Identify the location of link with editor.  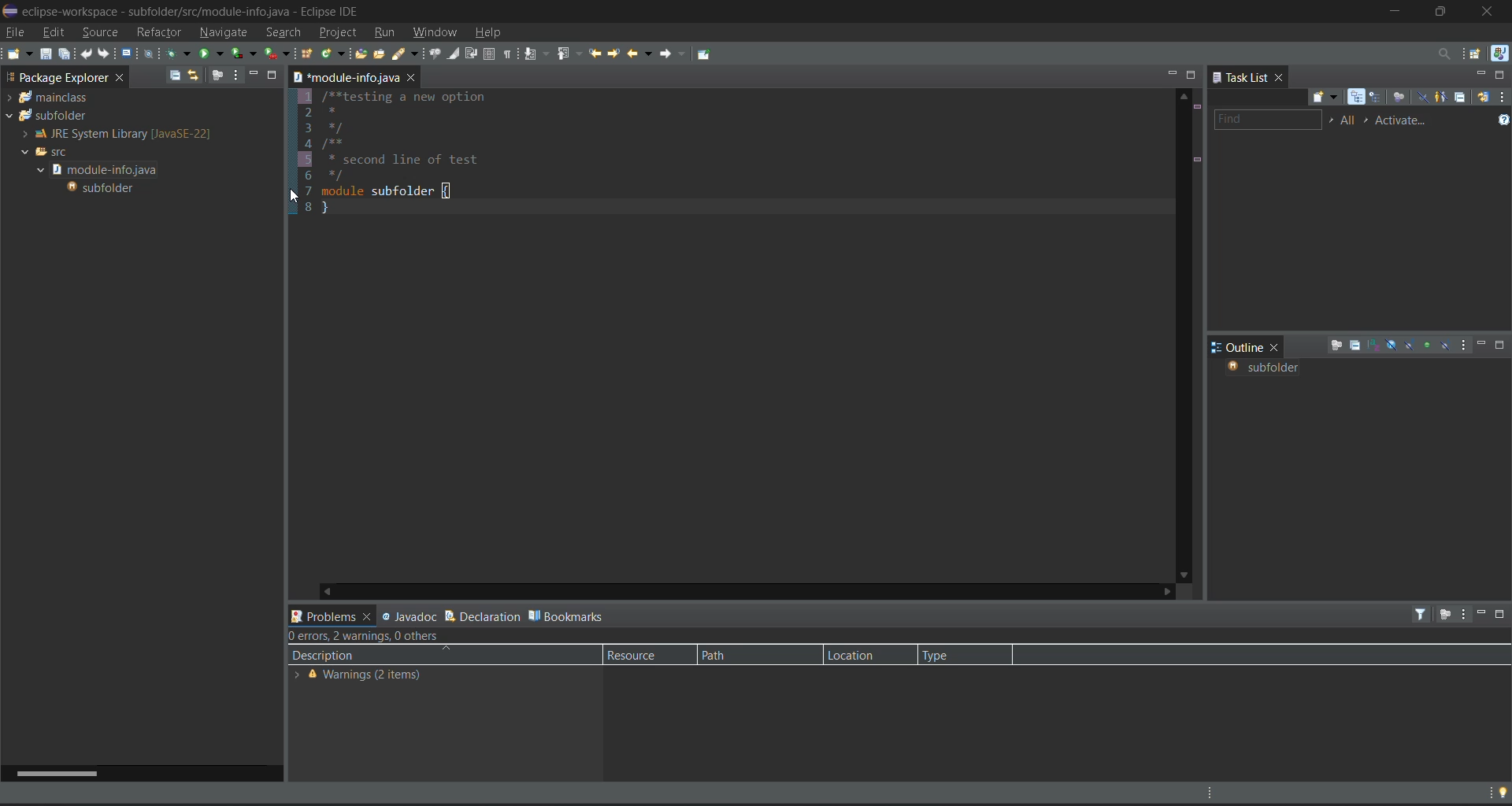
(195, 76).